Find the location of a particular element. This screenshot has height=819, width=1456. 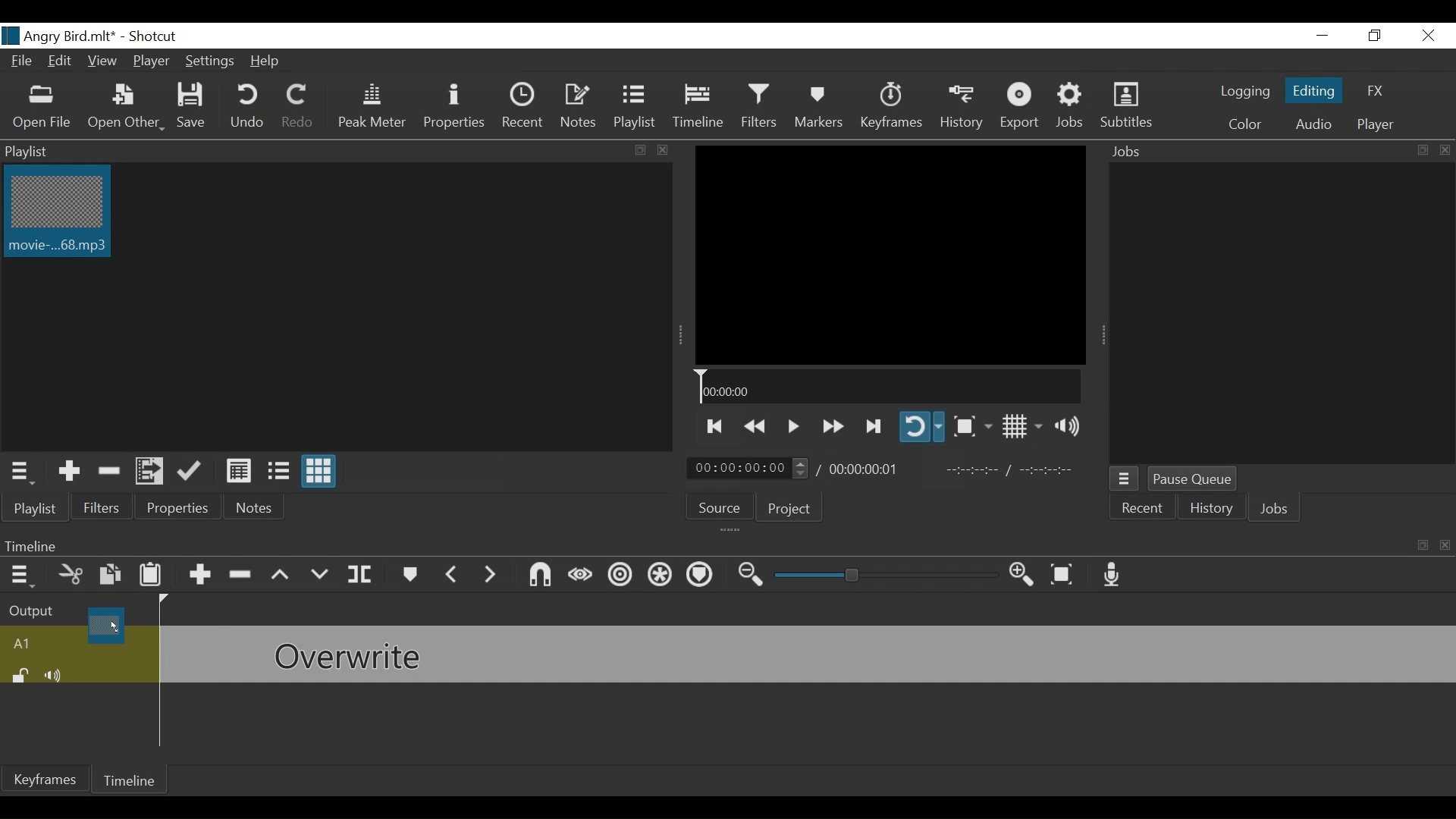

Redo is located at coordinates (293, 107).